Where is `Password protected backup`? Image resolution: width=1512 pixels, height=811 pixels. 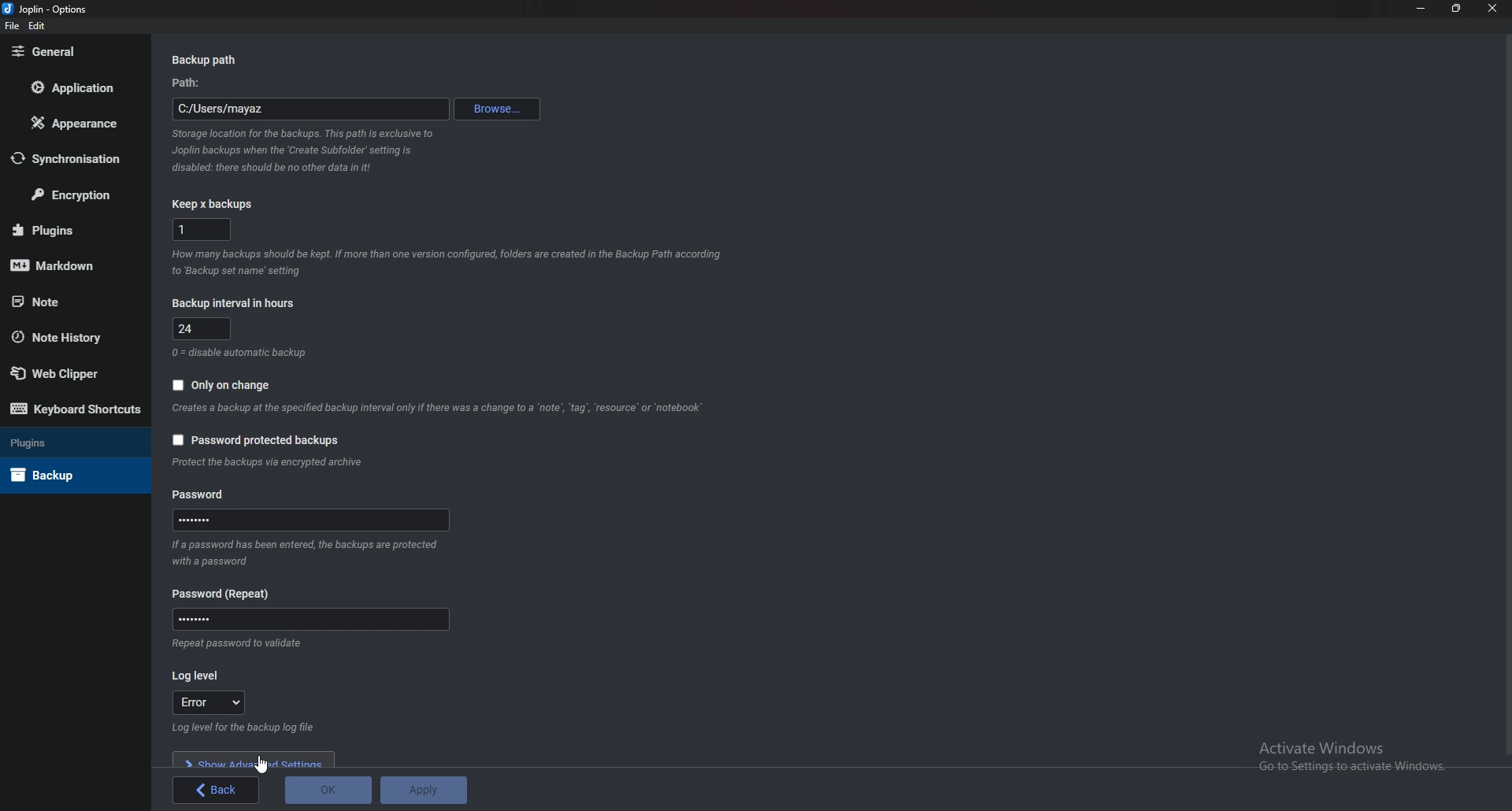
Password protected backup is located at coordinates (254, 439).